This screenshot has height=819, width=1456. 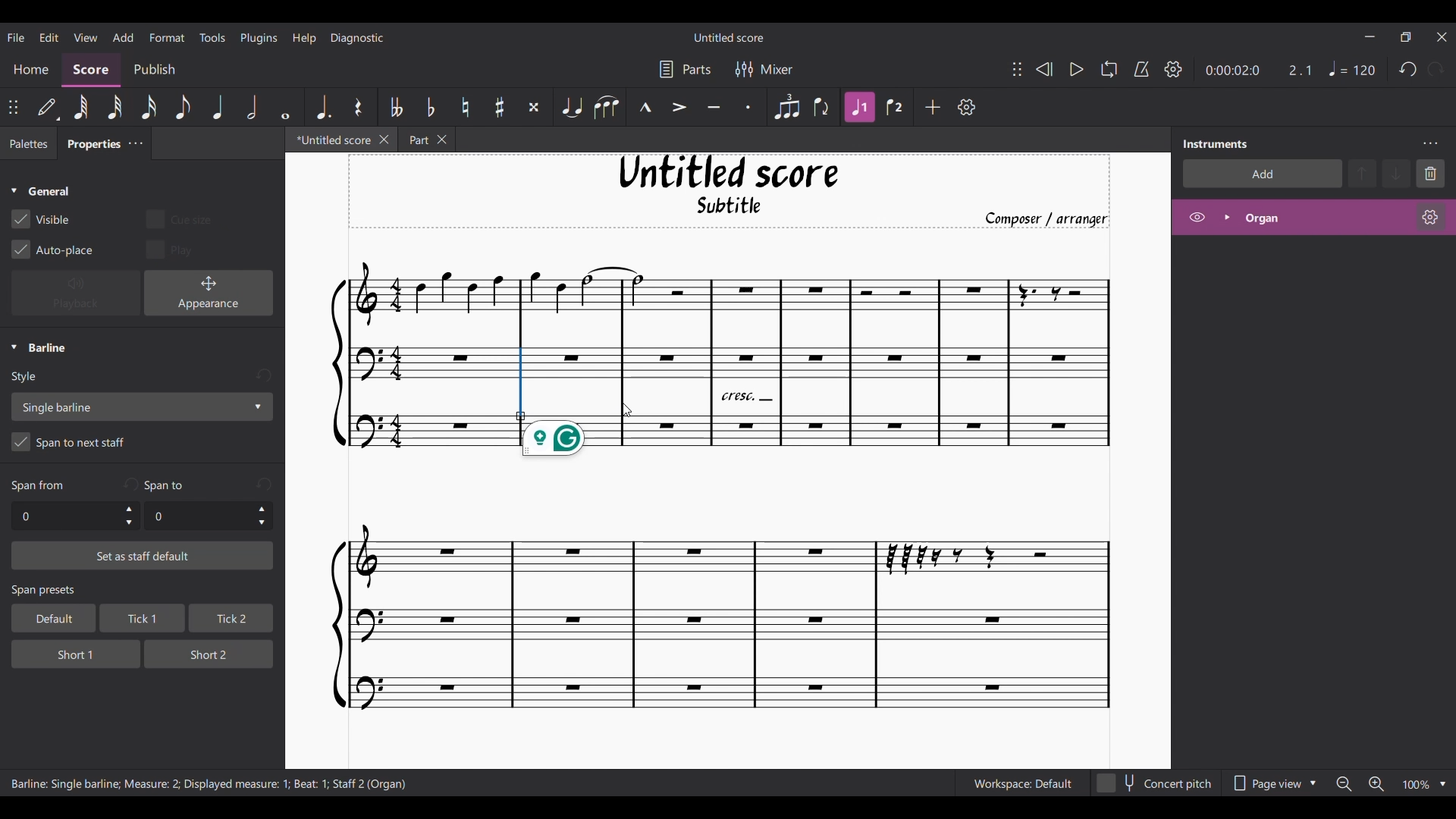 I want to click on Current workspace setting, so click(x=1022, y=783).